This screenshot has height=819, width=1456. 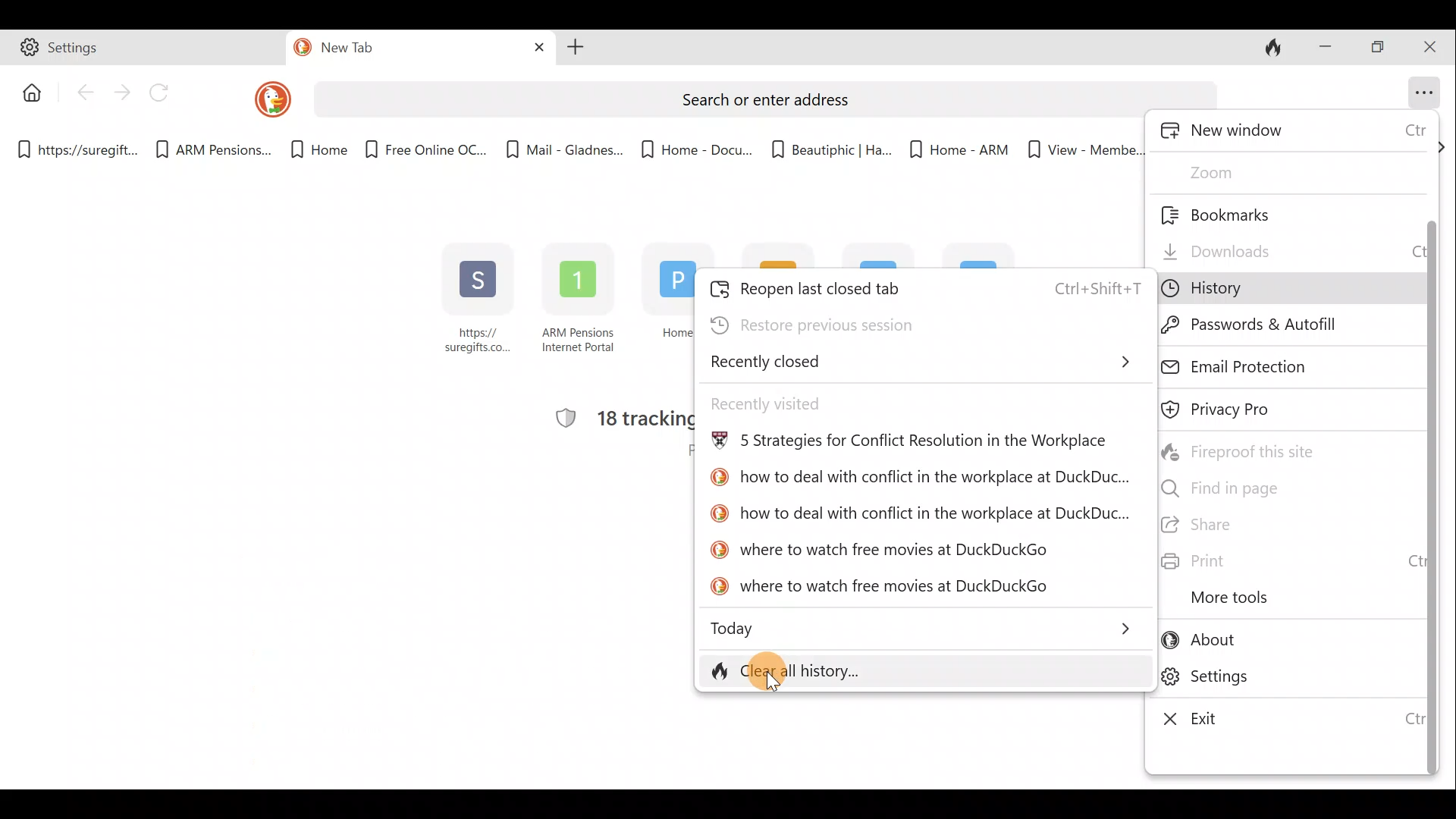 What do you see at coordinates (1284, 246) in the screenshot?
I see `Downloads` at bounding box center [1284, 246].